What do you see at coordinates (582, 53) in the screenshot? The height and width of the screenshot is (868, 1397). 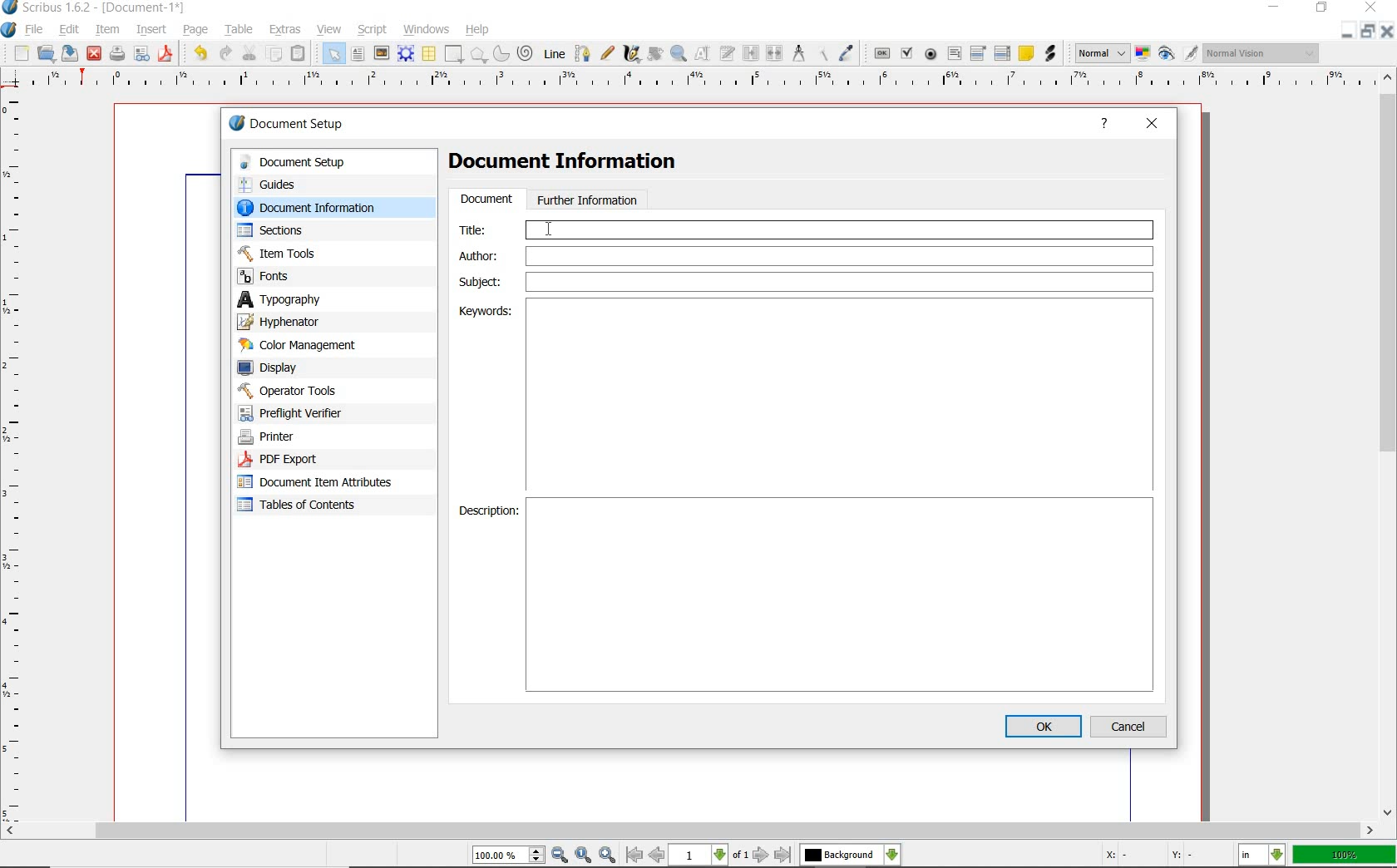 I see `Bezier curve` at bounding box center [582, 53].